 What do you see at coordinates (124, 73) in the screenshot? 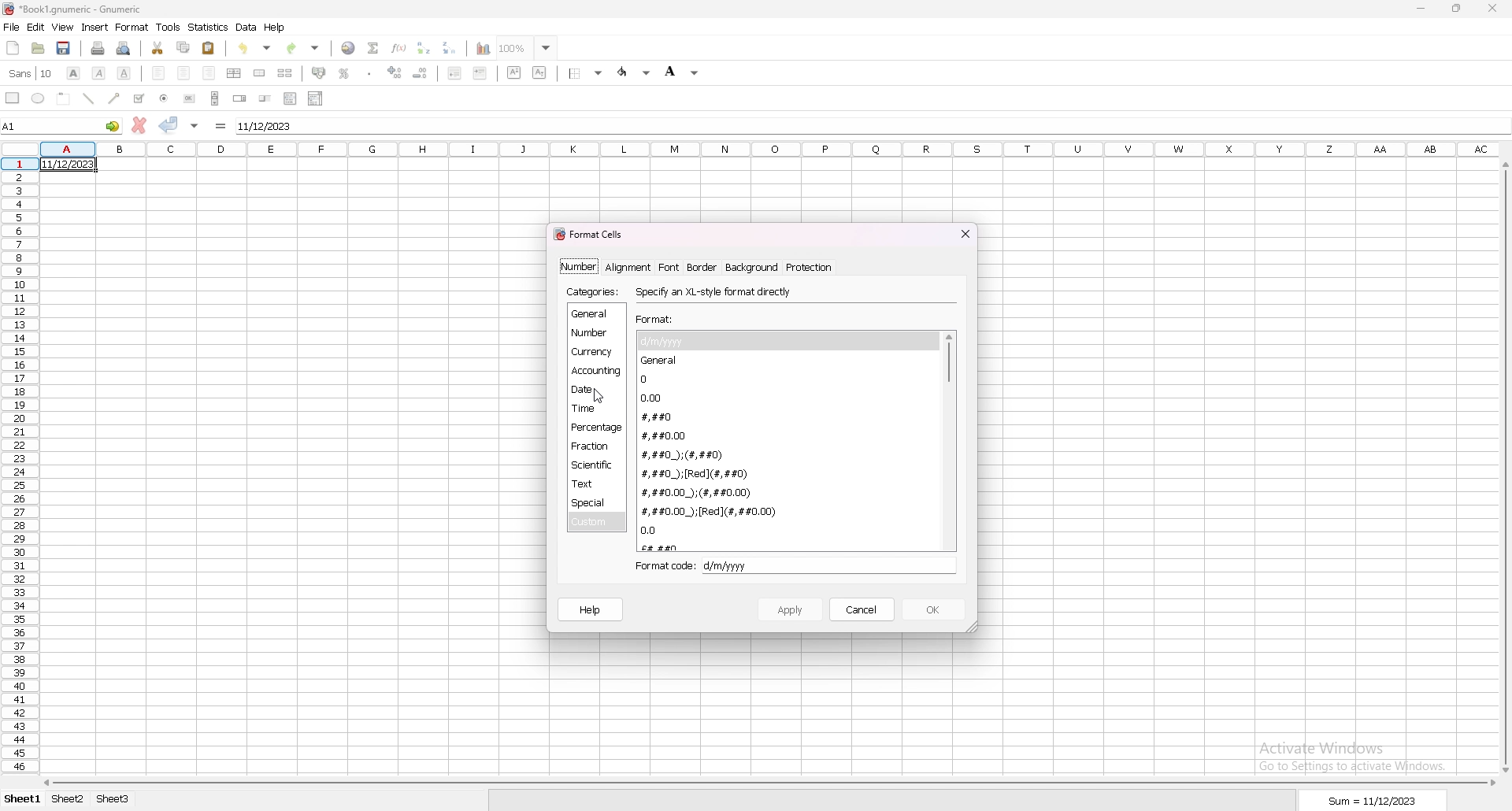
I see `underline` at bounding box center [124, 73].